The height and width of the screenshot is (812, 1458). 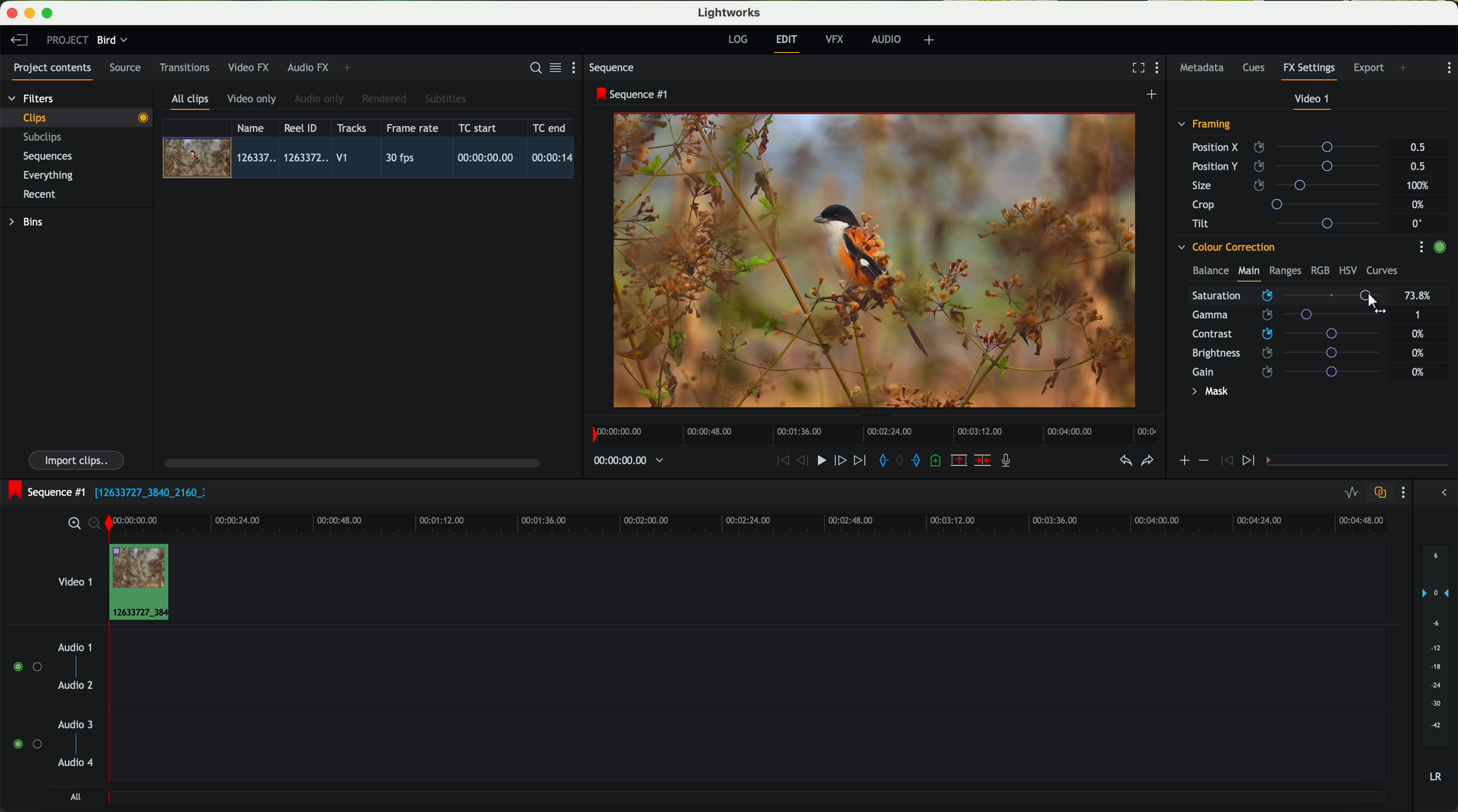 I want to click on Lightworks, so click(x=730, y=12).